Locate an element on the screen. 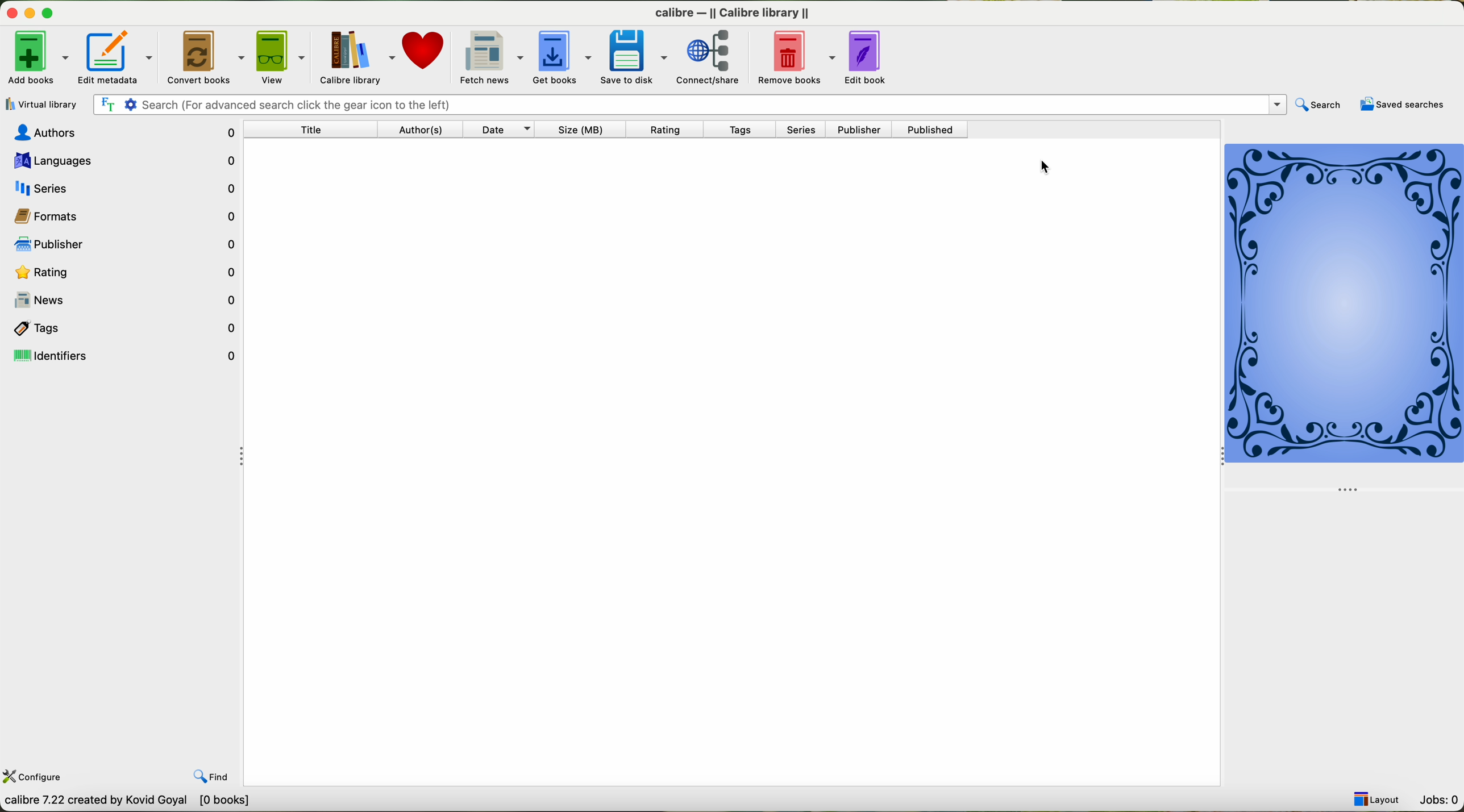 The width and height of the screenshot is (1464, 812). convert books is located at coordinates (204, 56).